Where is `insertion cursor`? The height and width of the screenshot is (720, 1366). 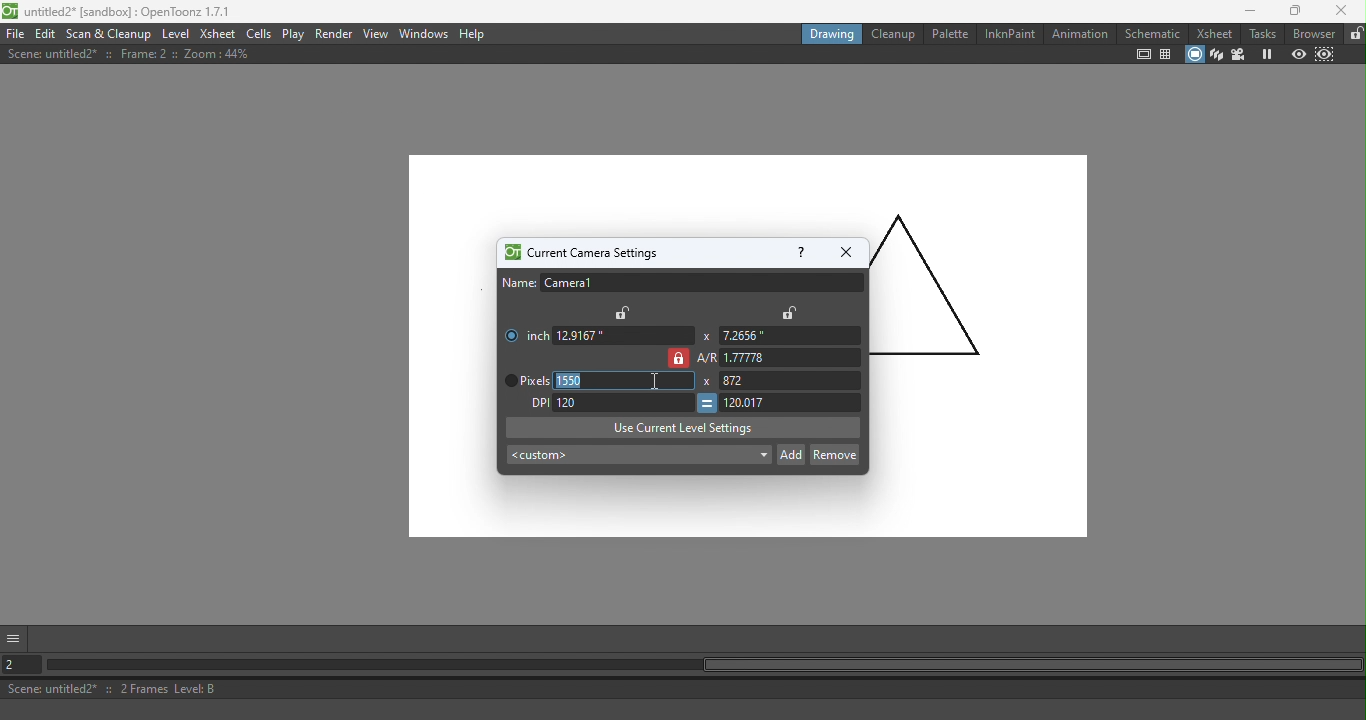 insertion cursor is located at coordinates (655, 380).